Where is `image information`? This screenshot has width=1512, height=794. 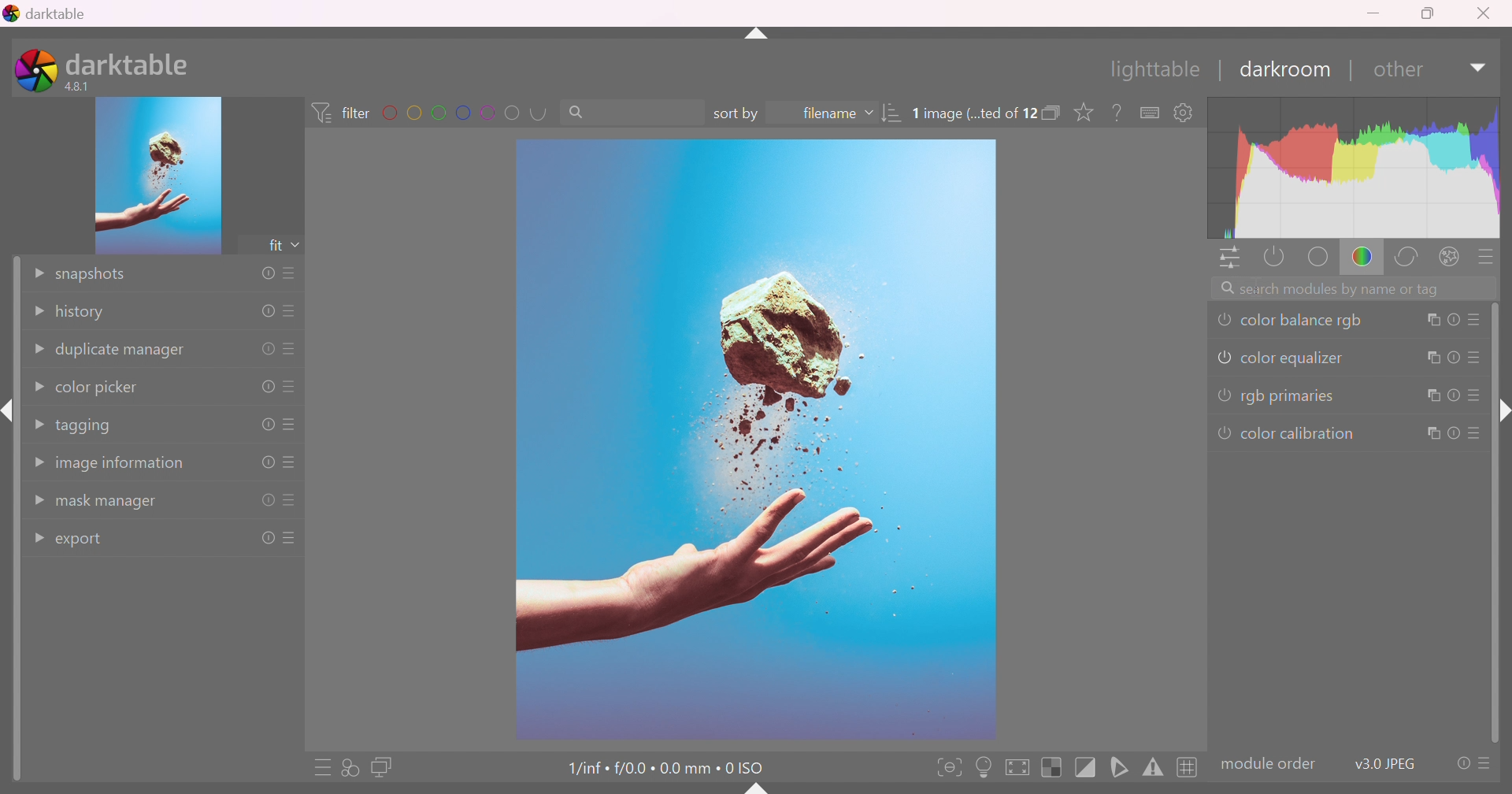 image information is located at coordinates (124, 465).